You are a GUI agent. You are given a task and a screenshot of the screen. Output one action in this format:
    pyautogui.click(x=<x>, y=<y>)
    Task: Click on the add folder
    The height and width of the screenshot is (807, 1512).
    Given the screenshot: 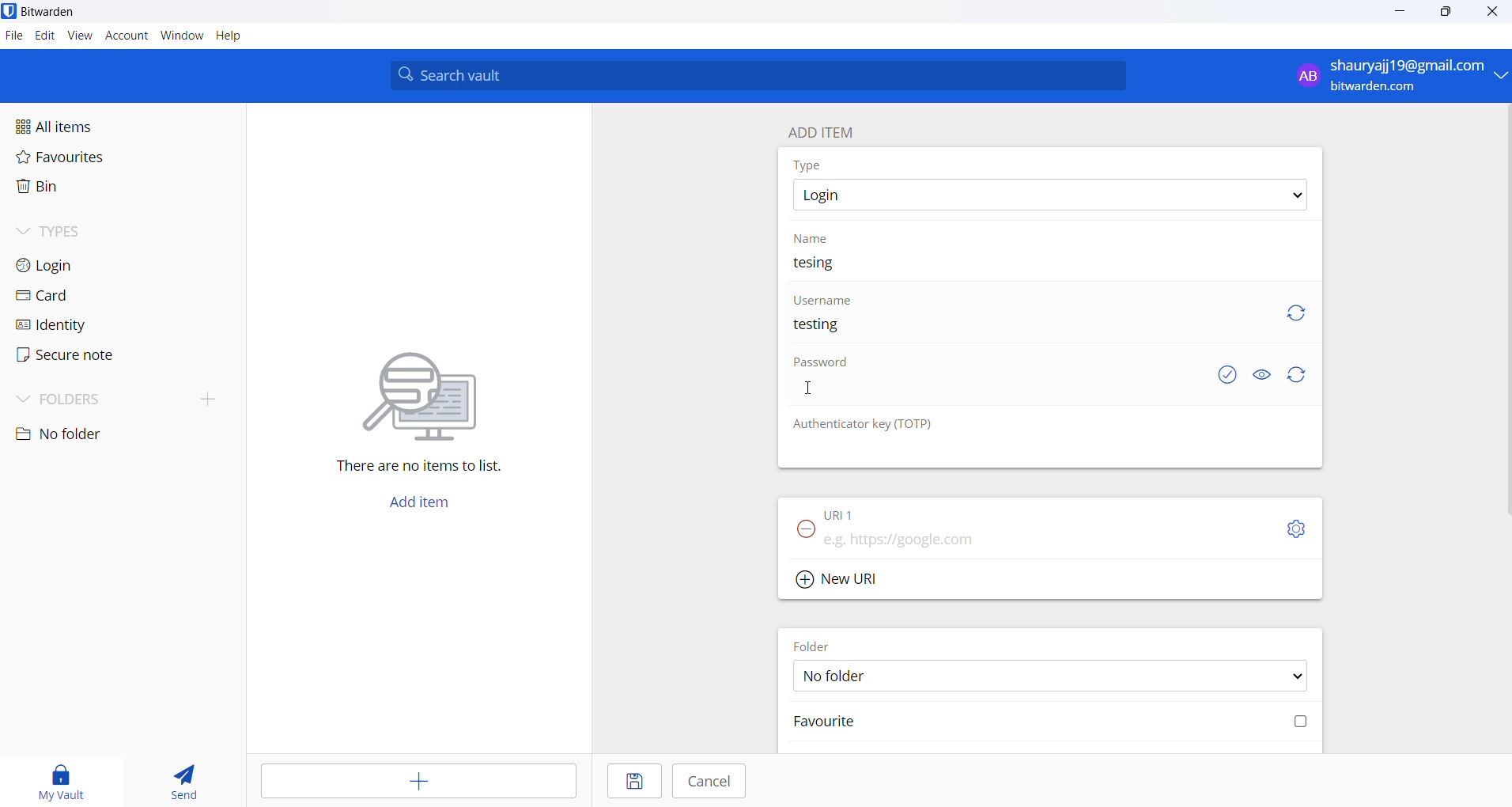 What is the action you would take?
    pyautogui.click(x=201, y=398)
    